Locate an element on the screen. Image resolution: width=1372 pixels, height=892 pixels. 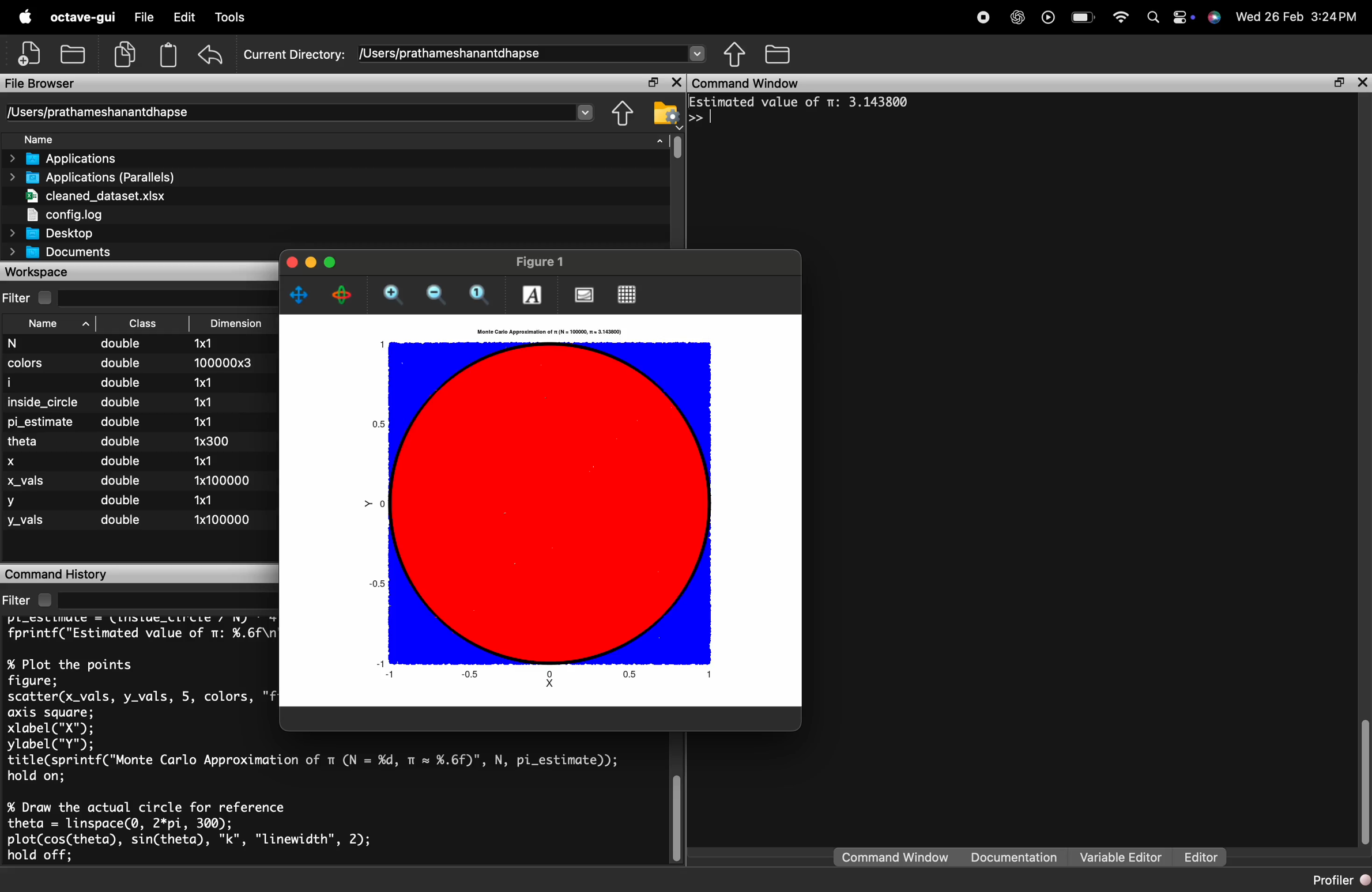
double is located at coordinates (123, 362).